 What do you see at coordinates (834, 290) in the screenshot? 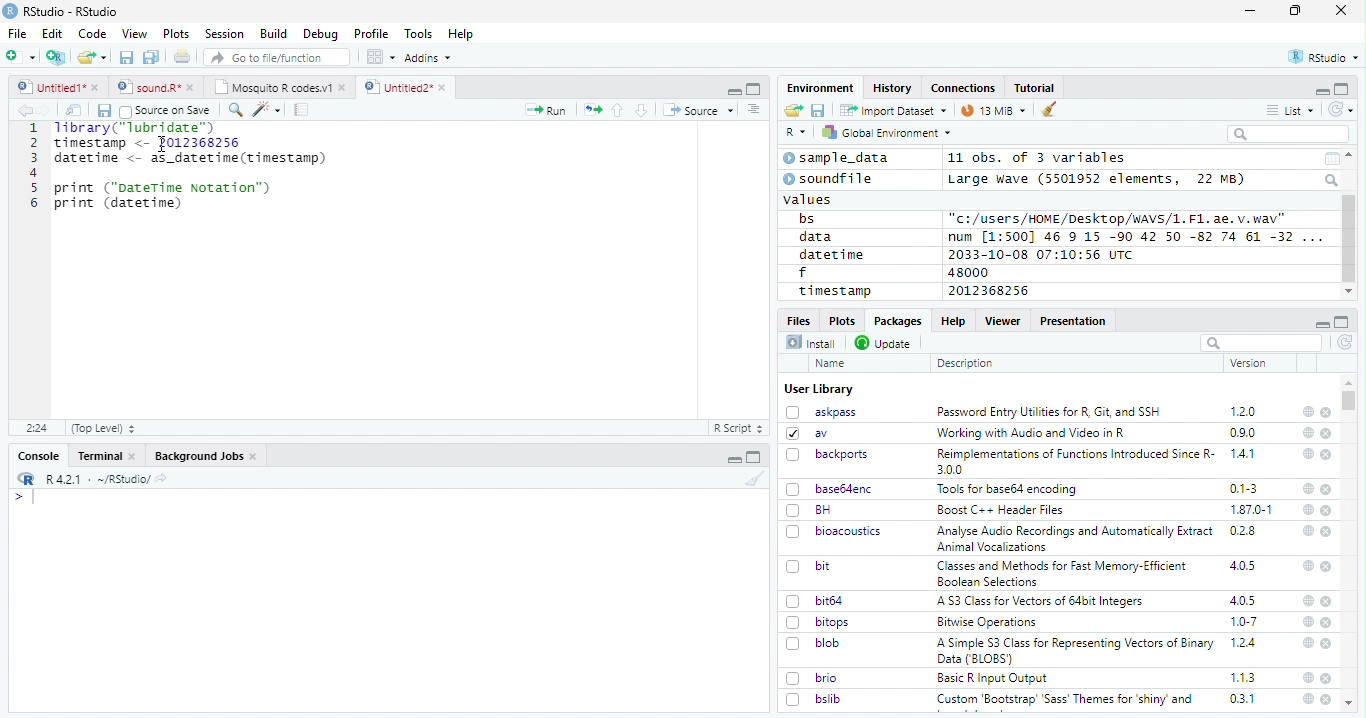
I see `timestamp` at bounding box center [834, 290].